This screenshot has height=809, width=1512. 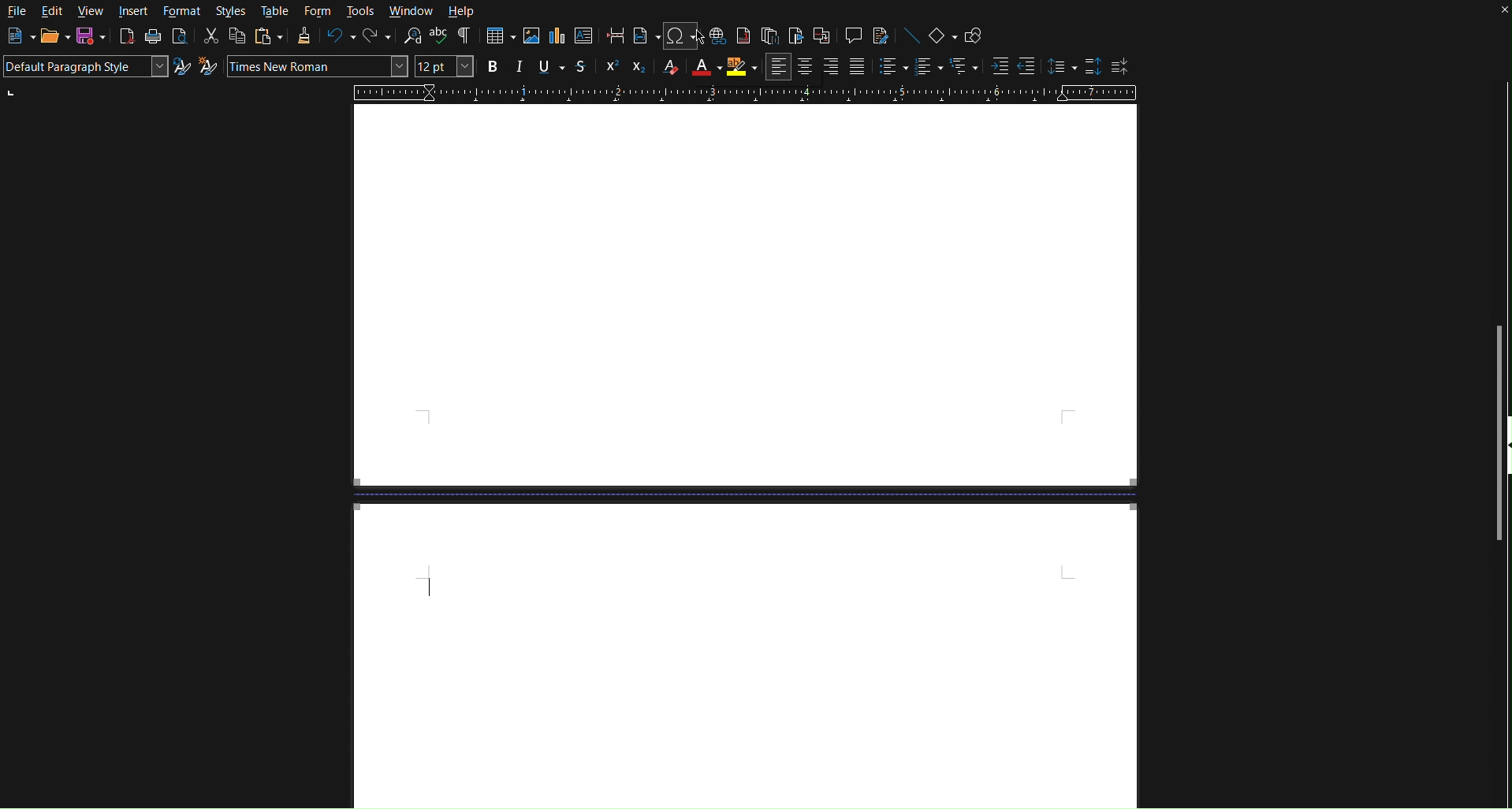 What do you see at coordinates (908, 35) in the screenshot?
I see `Insert Line` at bounding box center [908, 35].